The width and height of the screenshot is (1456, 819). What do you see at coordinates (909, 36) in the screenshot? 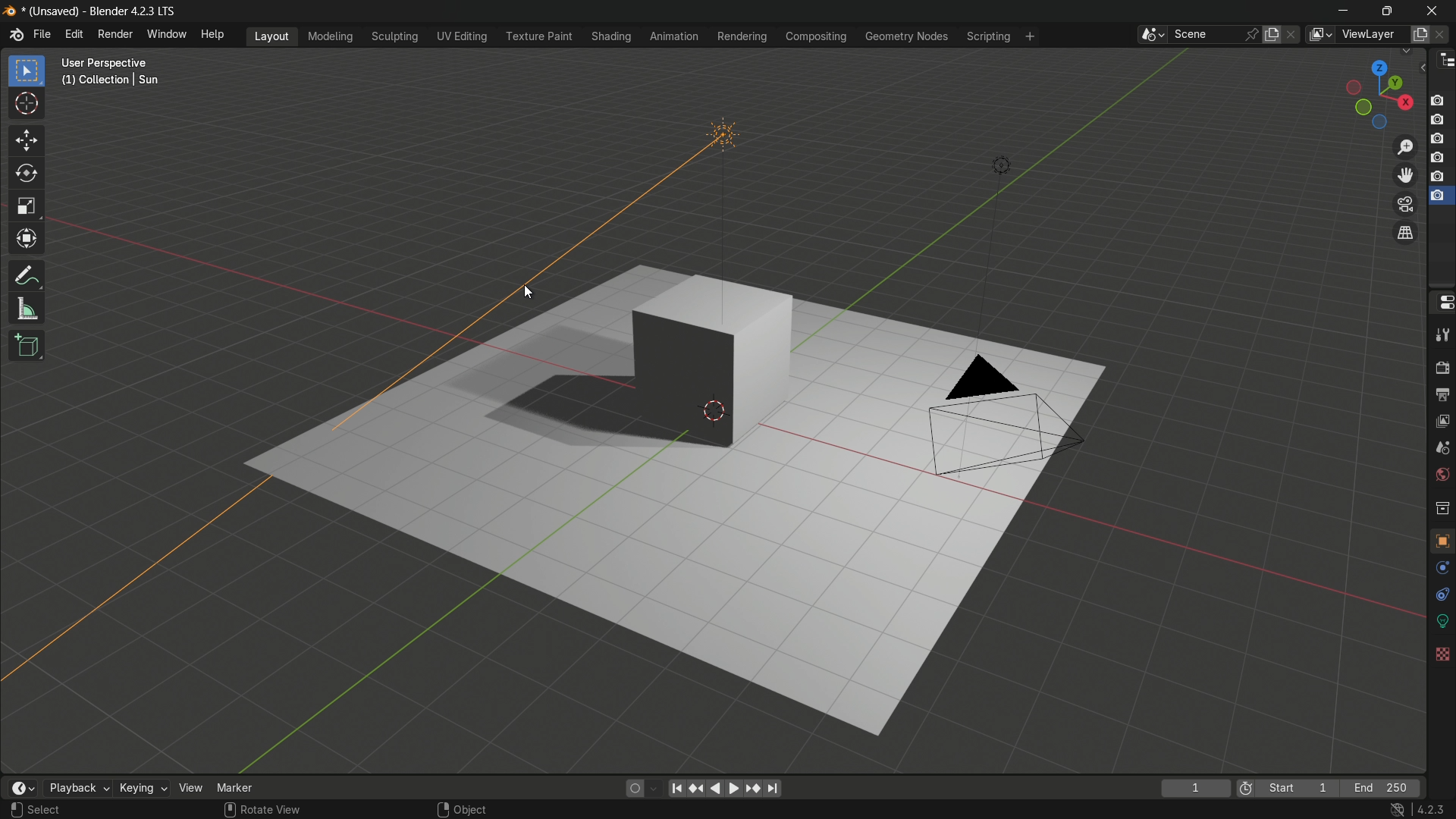
I see `geometry nodes` at bounding box center [909, 36].